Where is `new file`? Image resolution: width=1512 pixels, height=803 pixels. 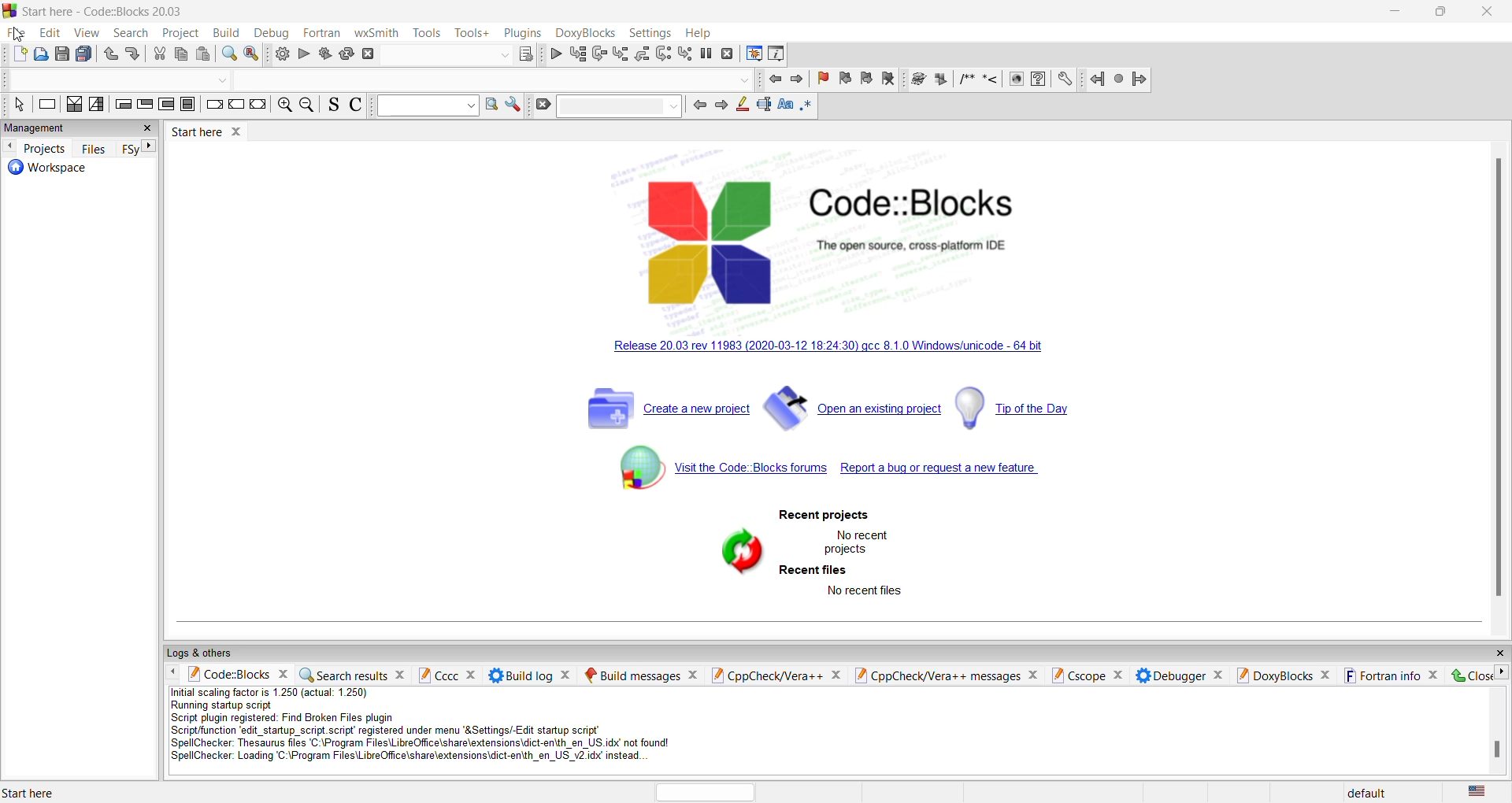 new file is located at coordinates (18, 56).